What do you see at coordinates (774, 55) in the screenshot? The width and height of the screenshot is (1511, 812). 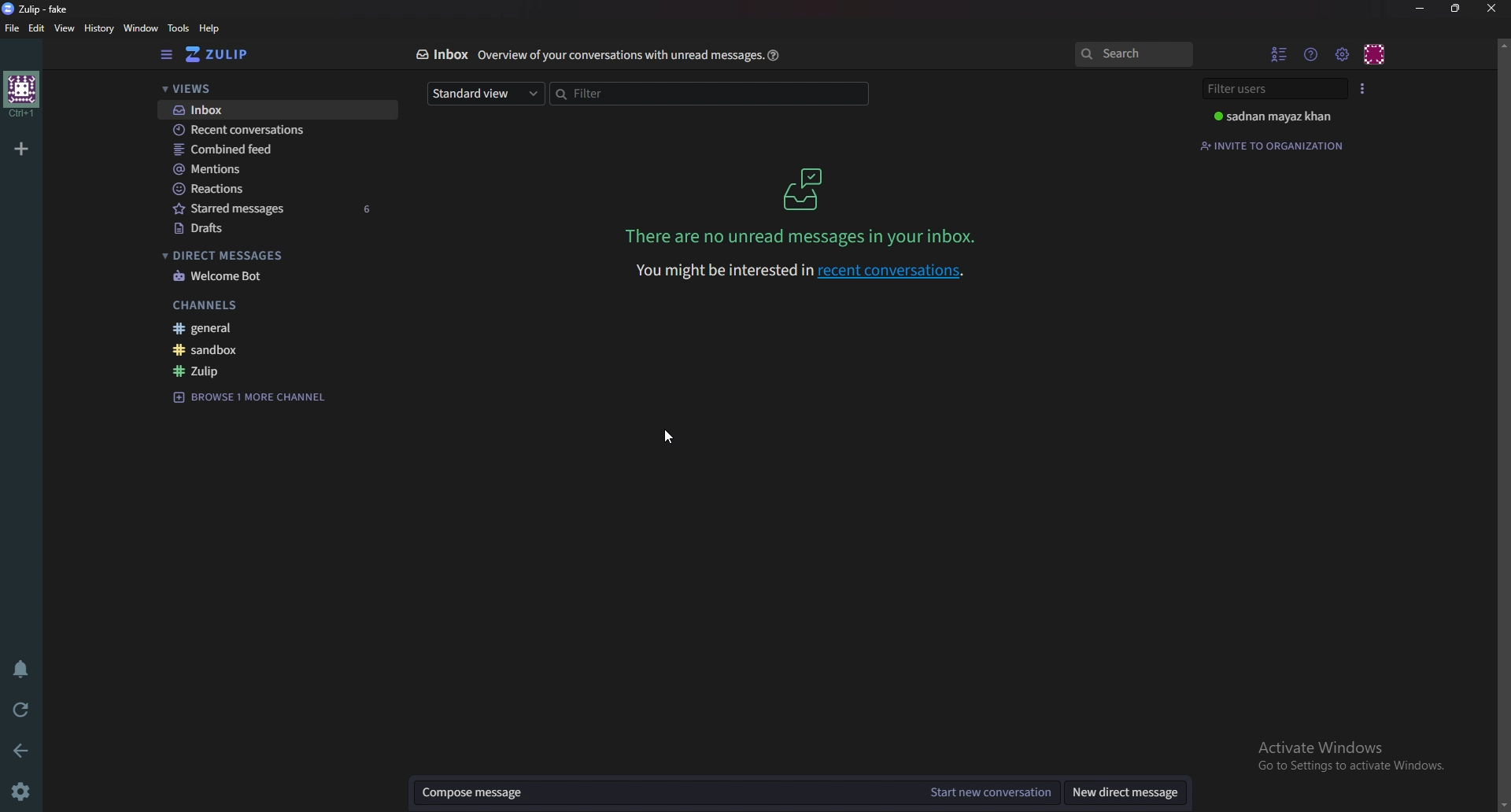 I see `help` at bounding box center [774, 55].